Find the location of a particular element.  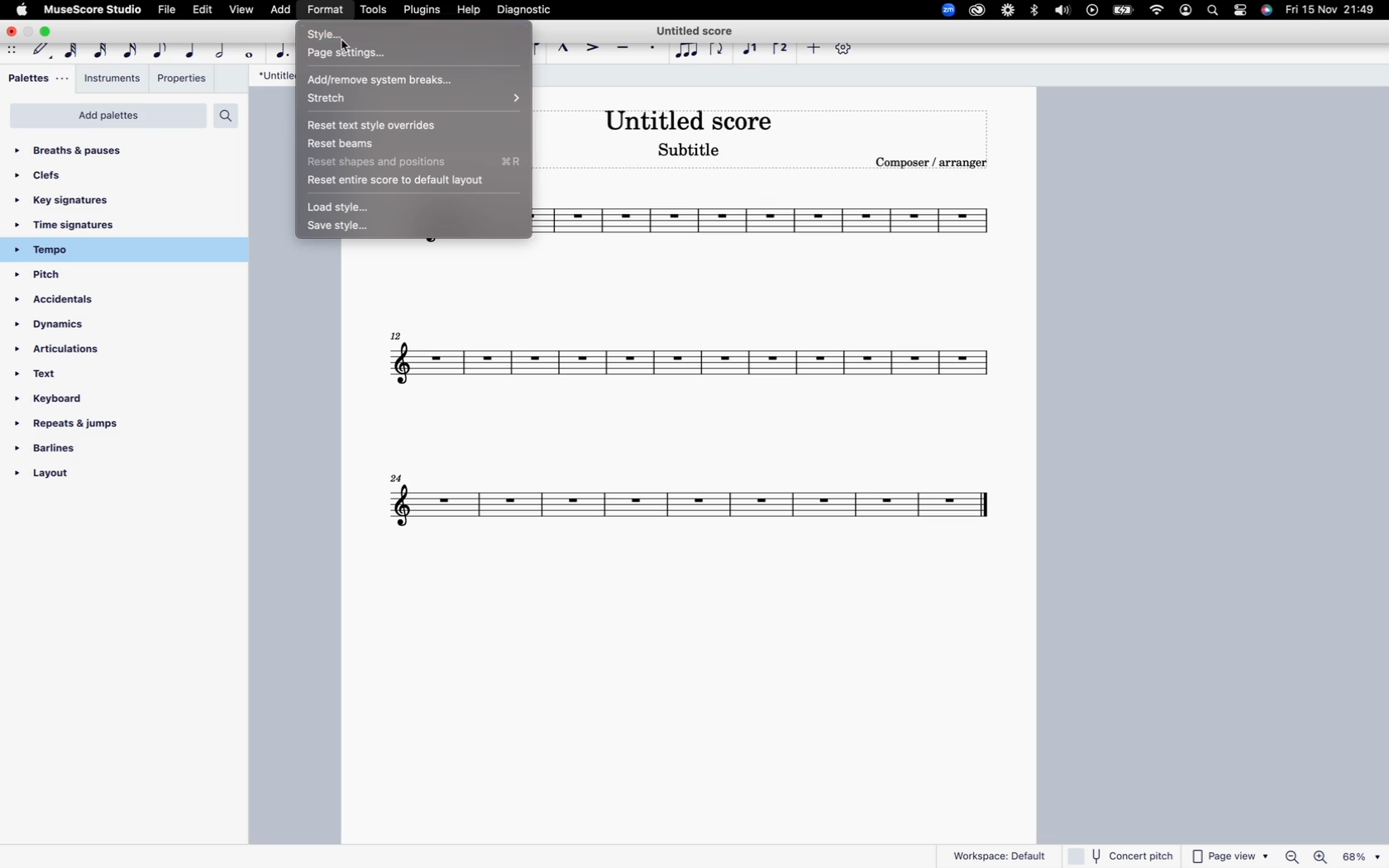

bluetooth is located at coordinates (1036, 13).